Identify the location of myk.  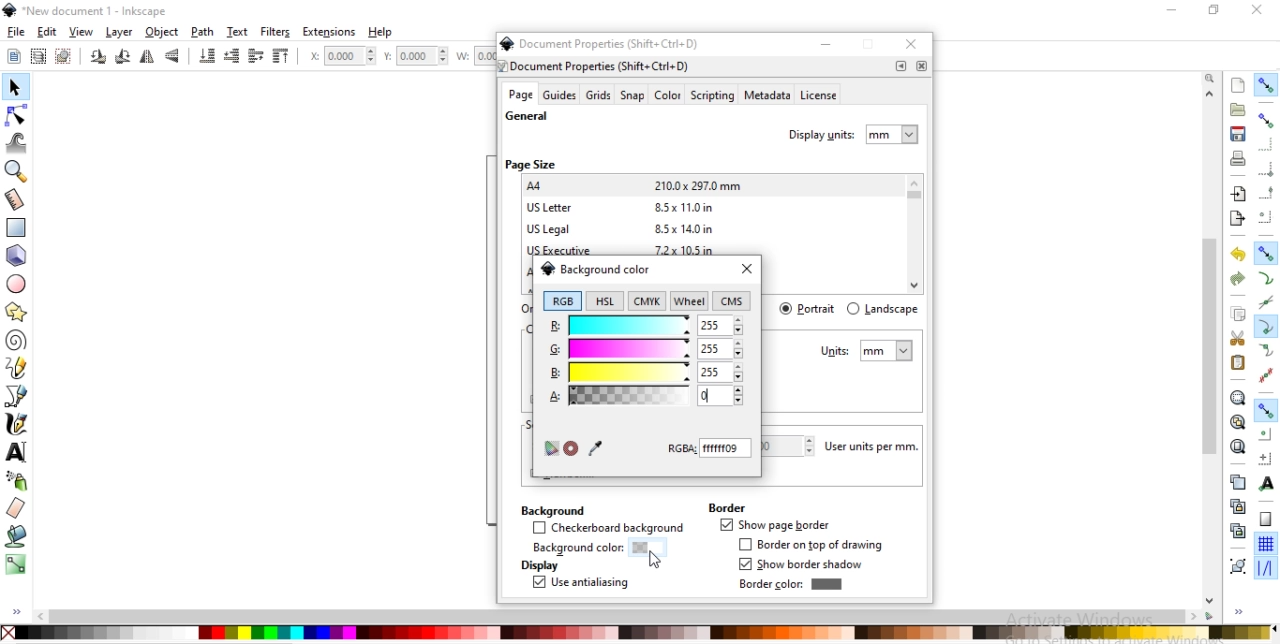
(650, 300).